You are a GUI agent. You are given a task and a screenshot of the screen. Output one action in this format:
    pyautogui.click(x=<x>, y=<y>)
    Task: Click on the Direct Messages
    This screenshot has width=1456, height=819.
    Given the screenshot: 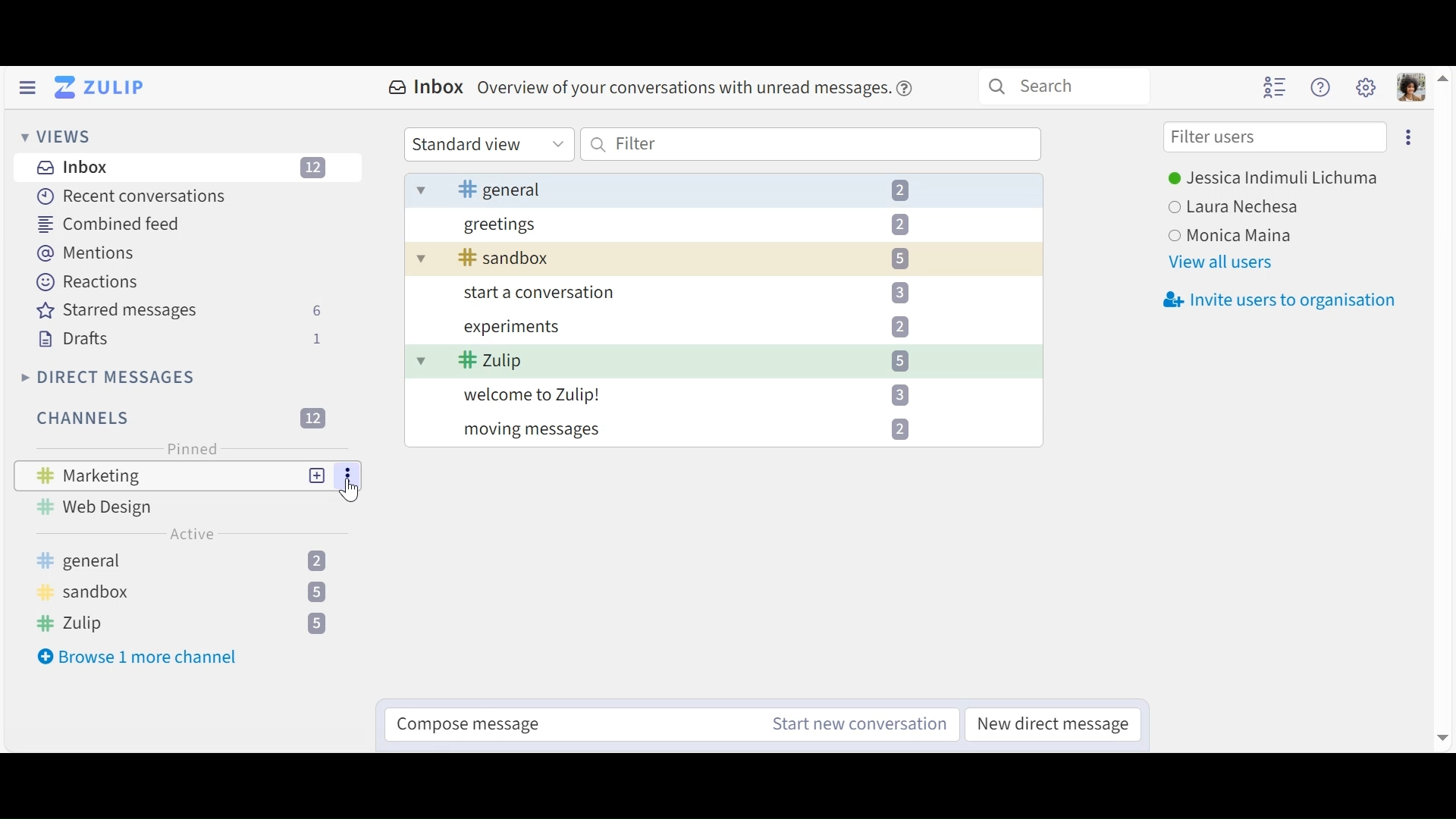 What is the action you would take?
    pyautogui.click(x=106, y=377)
    